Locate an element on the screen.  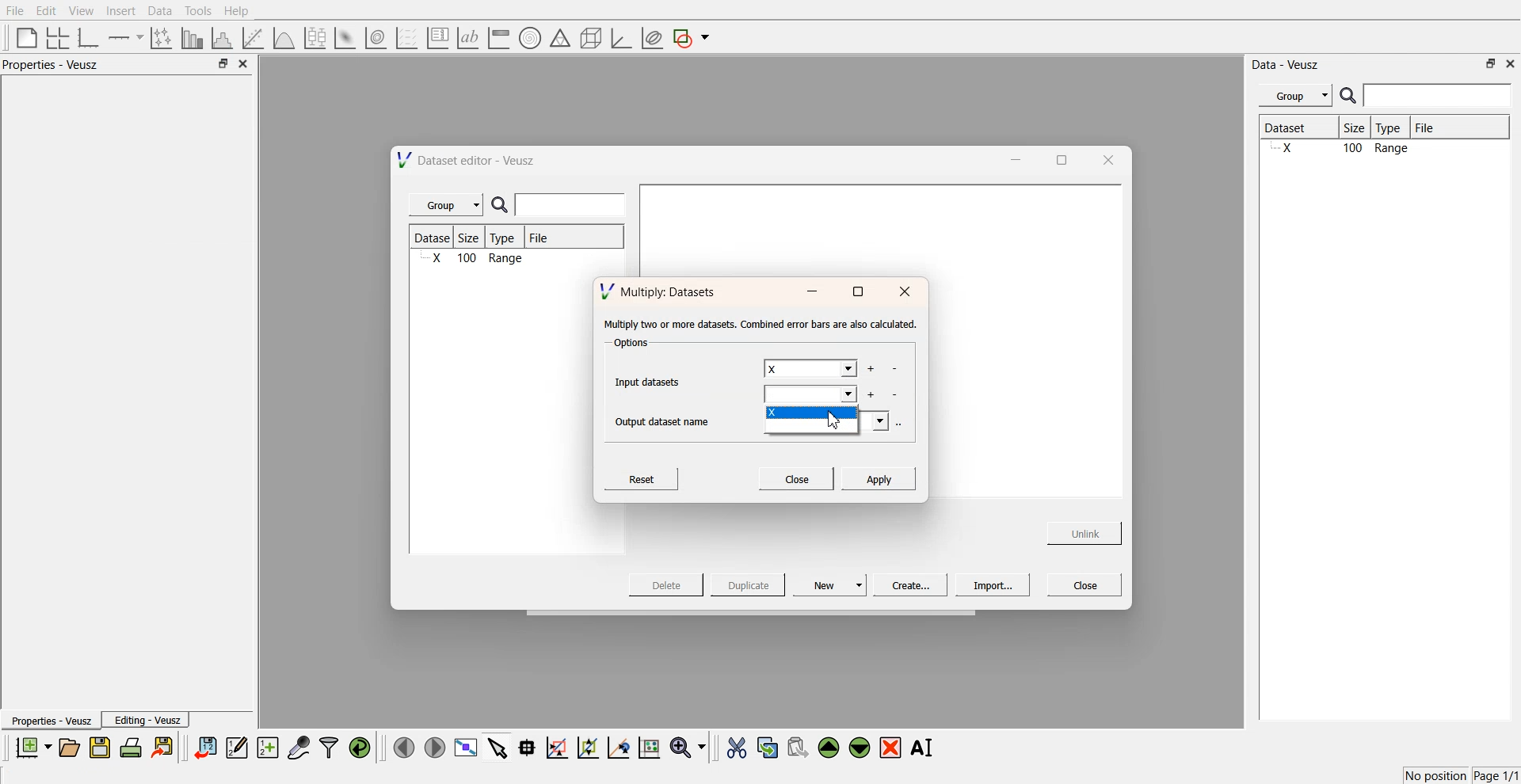
blank page is located at coordinates (23, 36).